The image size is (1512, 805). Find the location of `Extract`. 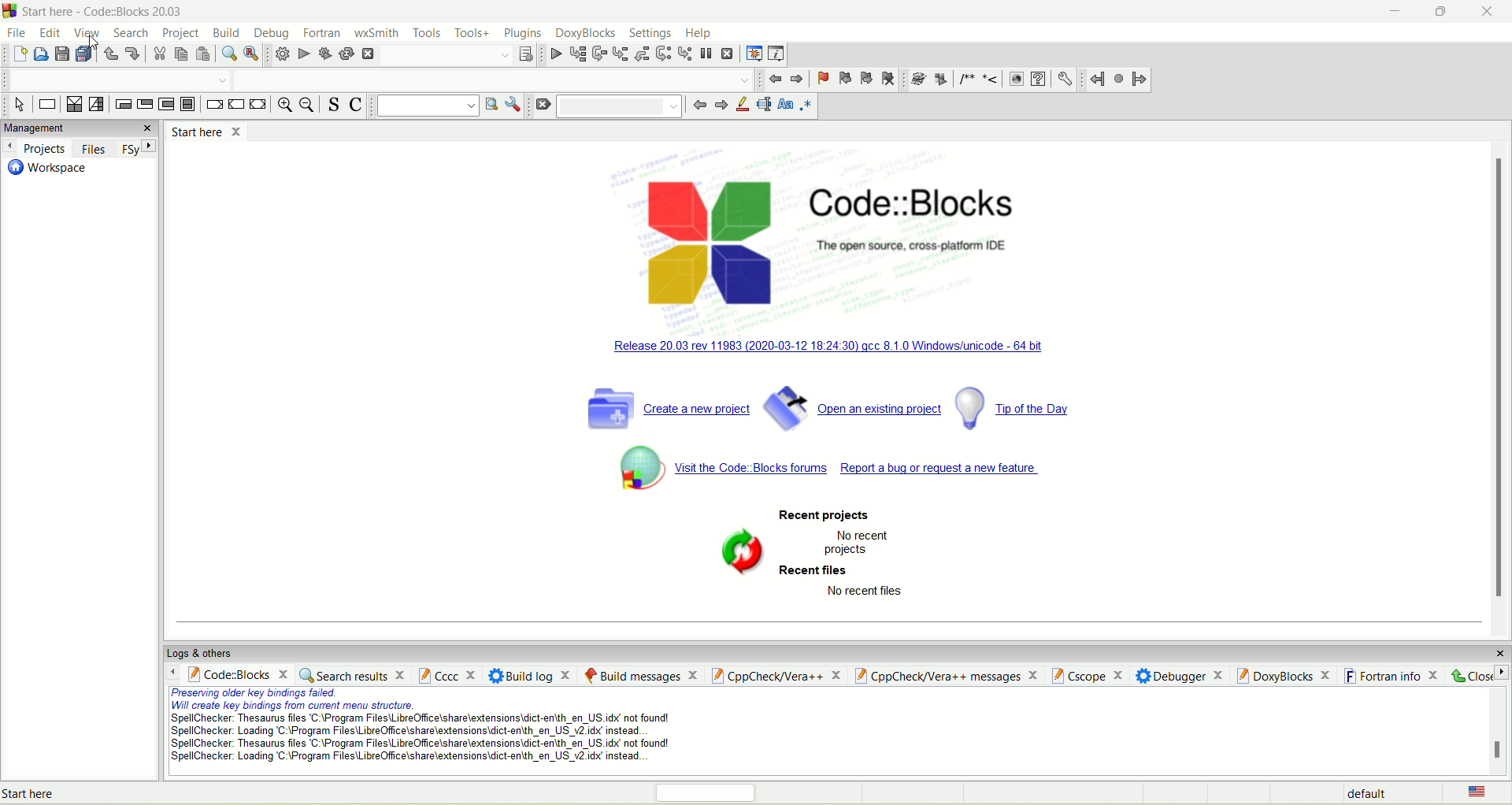

Extract is located at coordinates (939, 80).